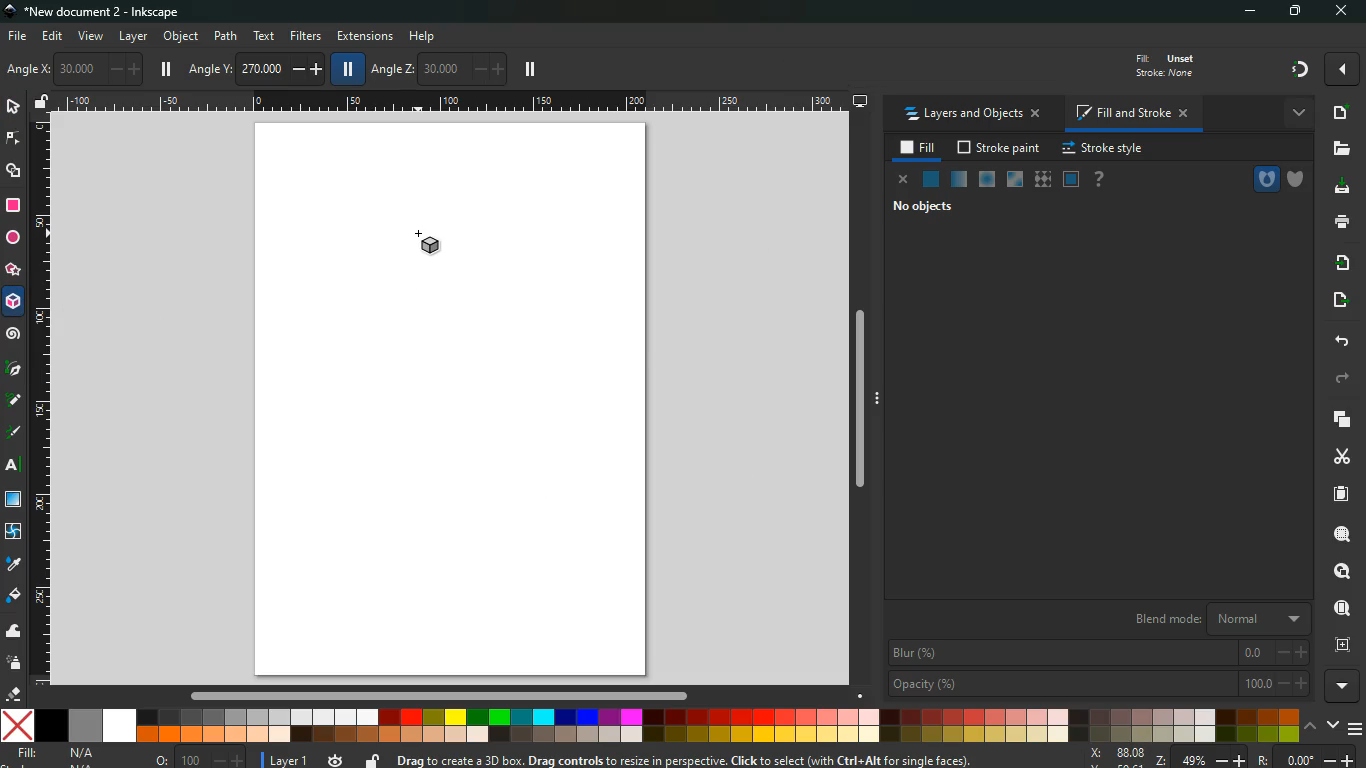 The image size is (1366, 768). Describe the element at coordinates (429, 36) in the screenshot. I see `help` at that location.